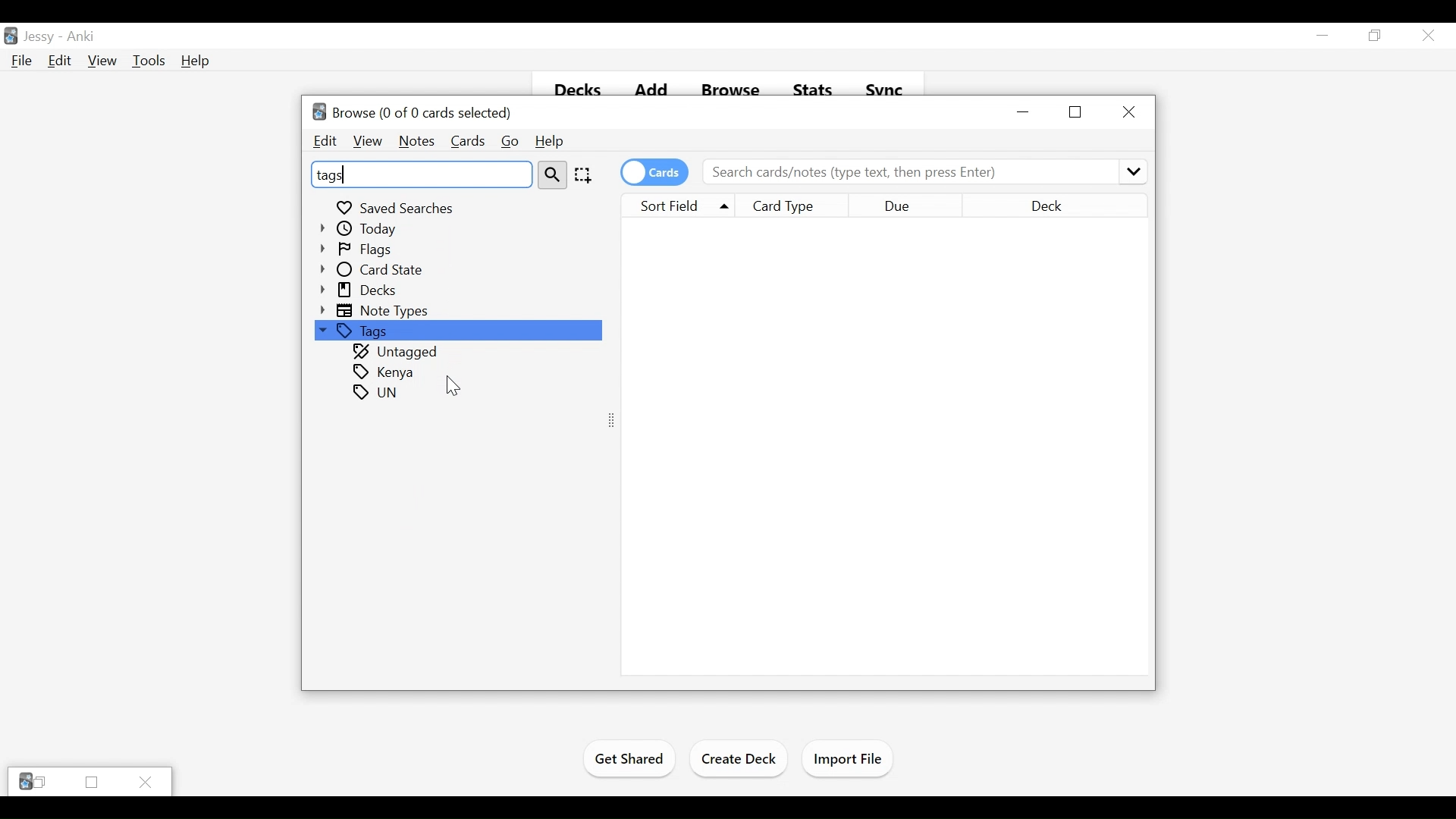 The width and height of the screenshot is (1456, 819). What do you see at coordinates (39, 38) in the screenshot?
I see `User Profile` at bounding box center [39, 38].